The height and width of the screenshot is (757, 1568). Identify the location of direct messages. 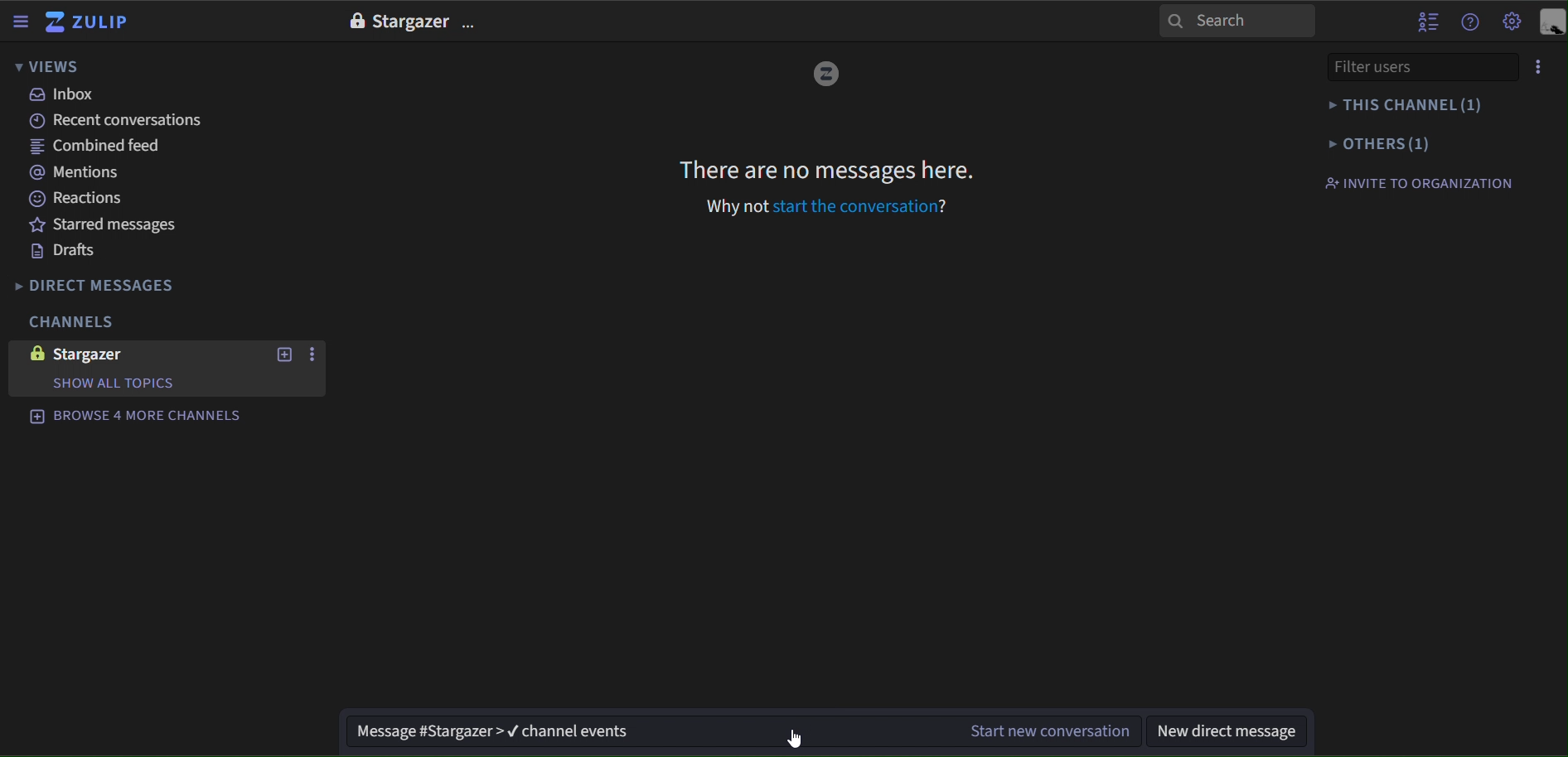
(109, 286).